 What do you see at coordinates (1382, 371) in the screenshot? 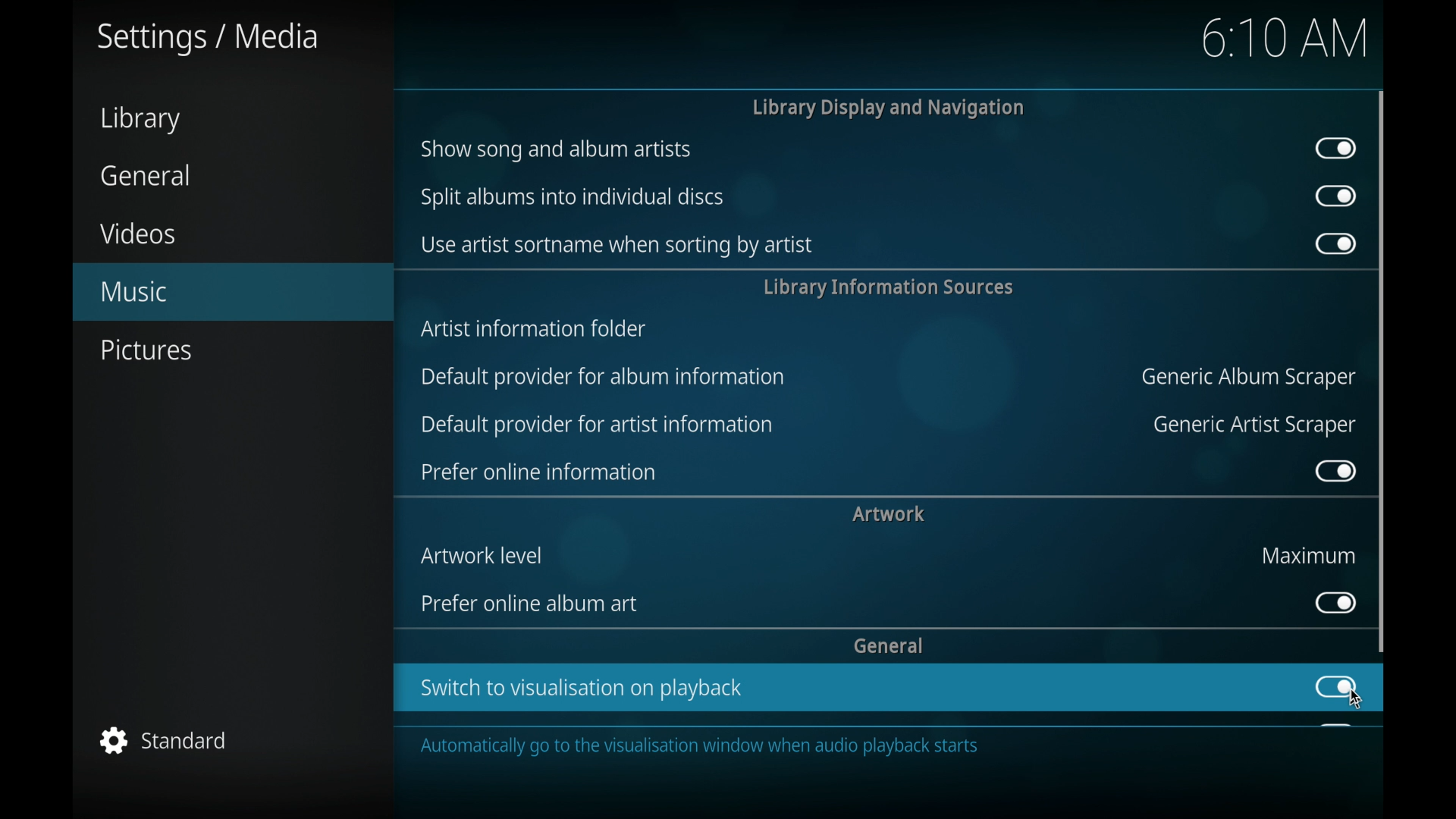
I see `scroll box` at bounding box center [1382, 371].